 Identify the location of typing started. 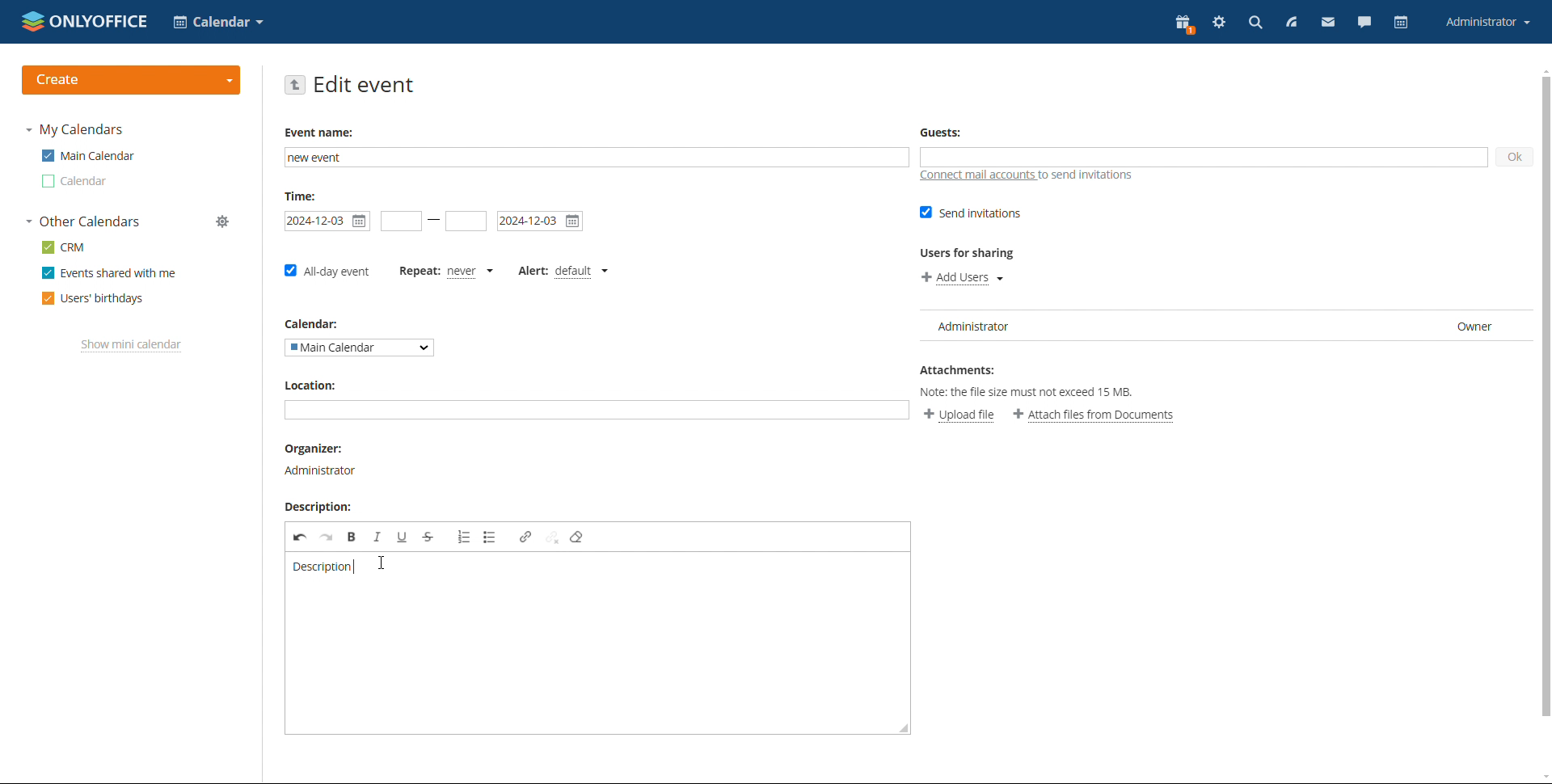
(356, 565).